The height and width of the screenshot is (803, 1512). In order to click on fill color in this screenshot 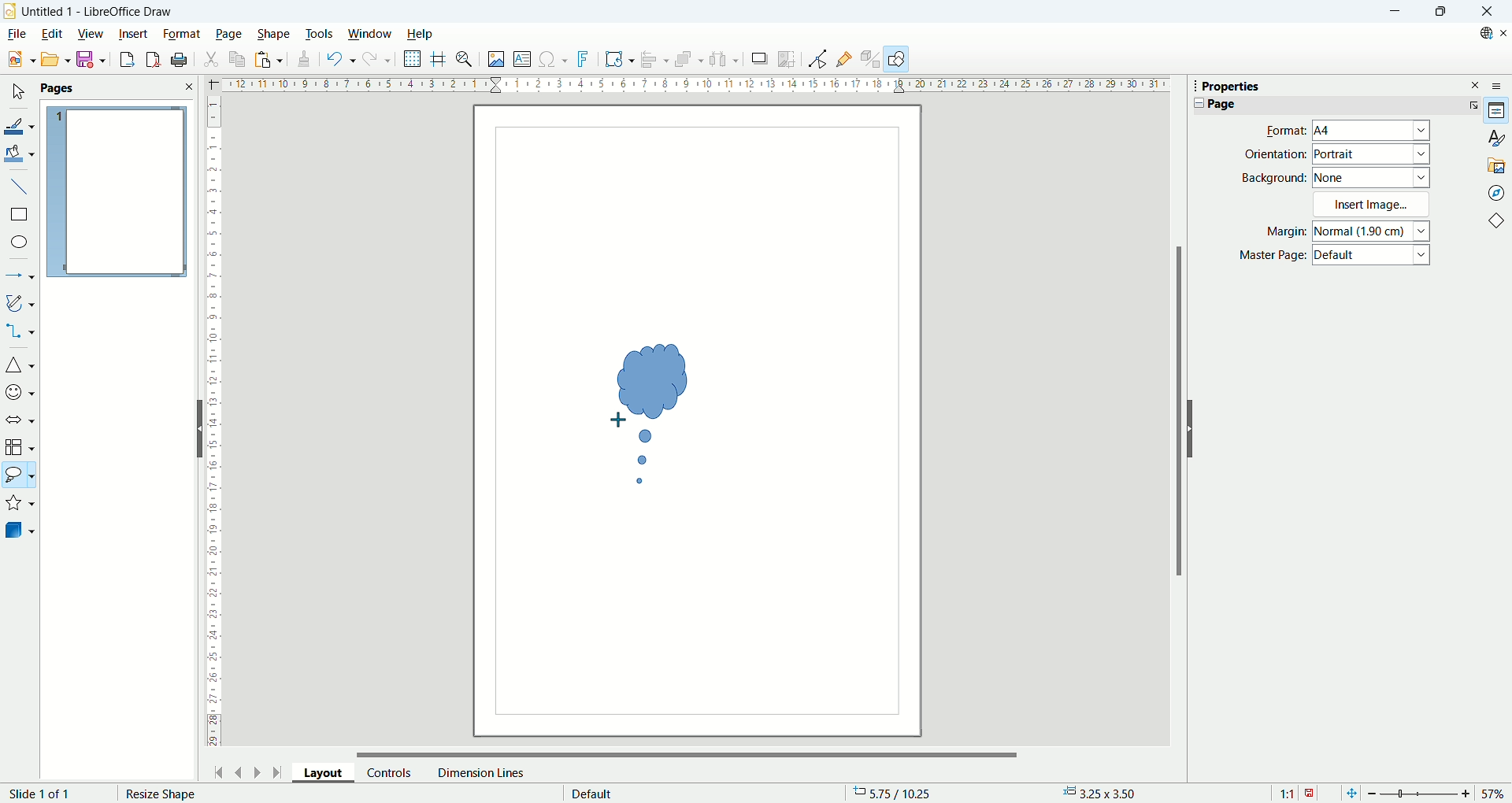, I will do `click(20, 153)`.